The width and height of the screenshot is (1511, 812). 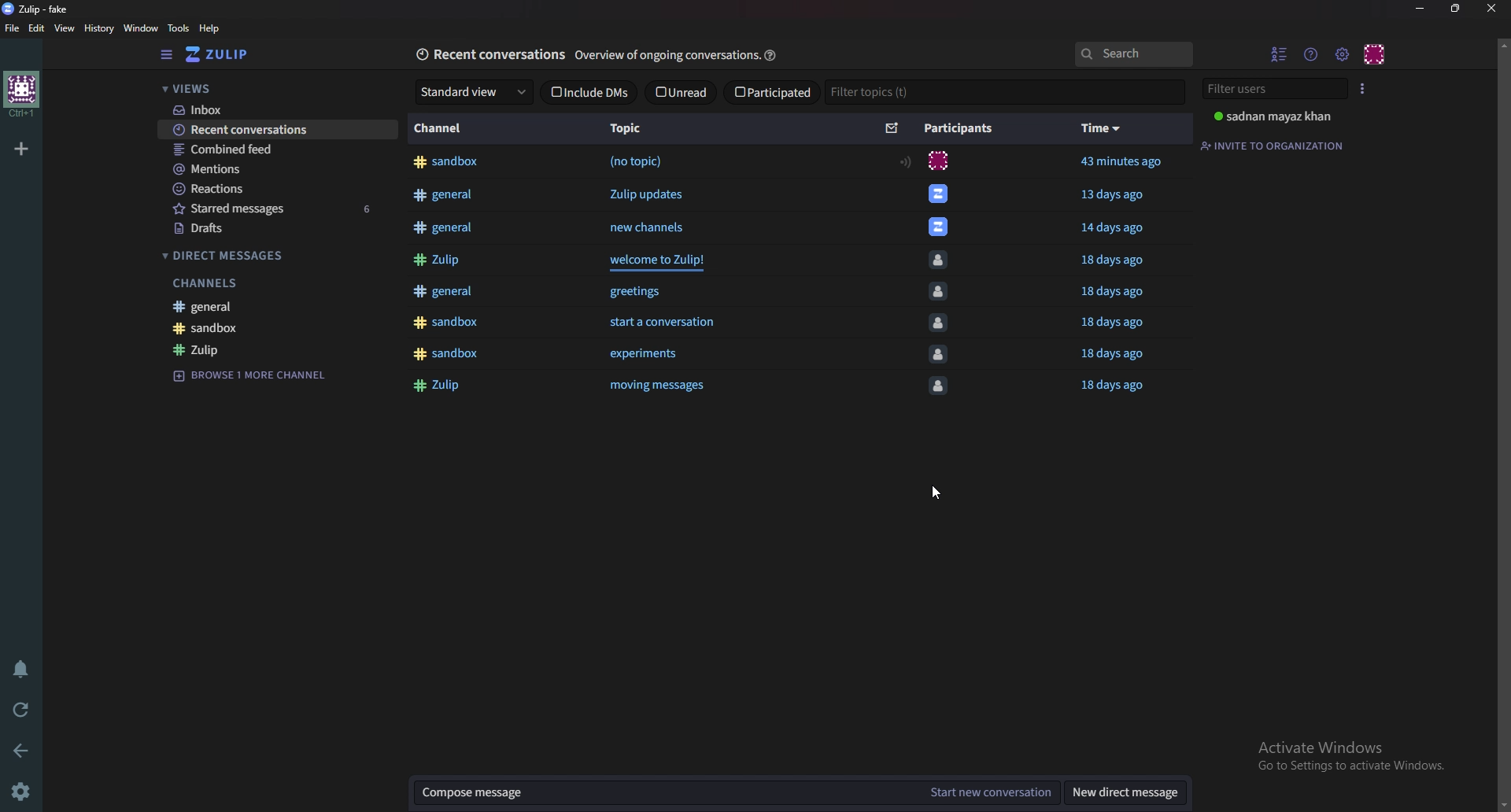 I want to click on icon, so click(x=938, y=327).